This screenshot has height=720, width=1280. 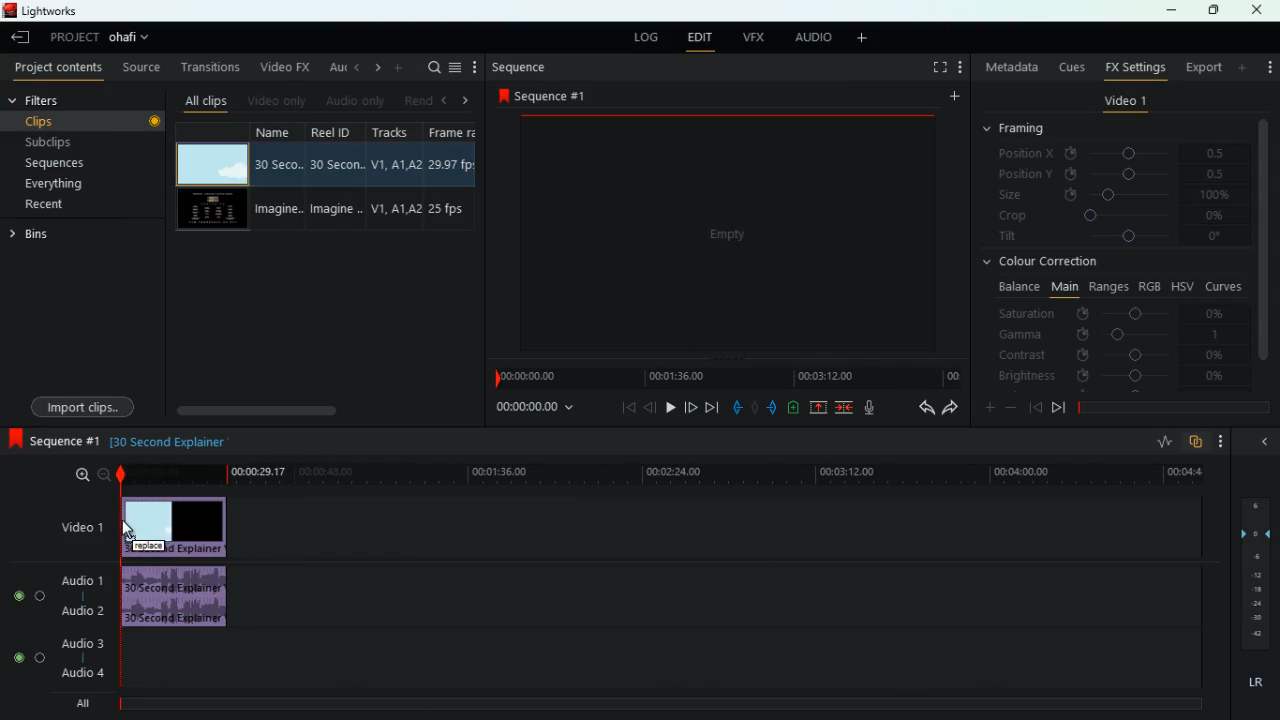 I want to click on video, so click(x=178, y=524).